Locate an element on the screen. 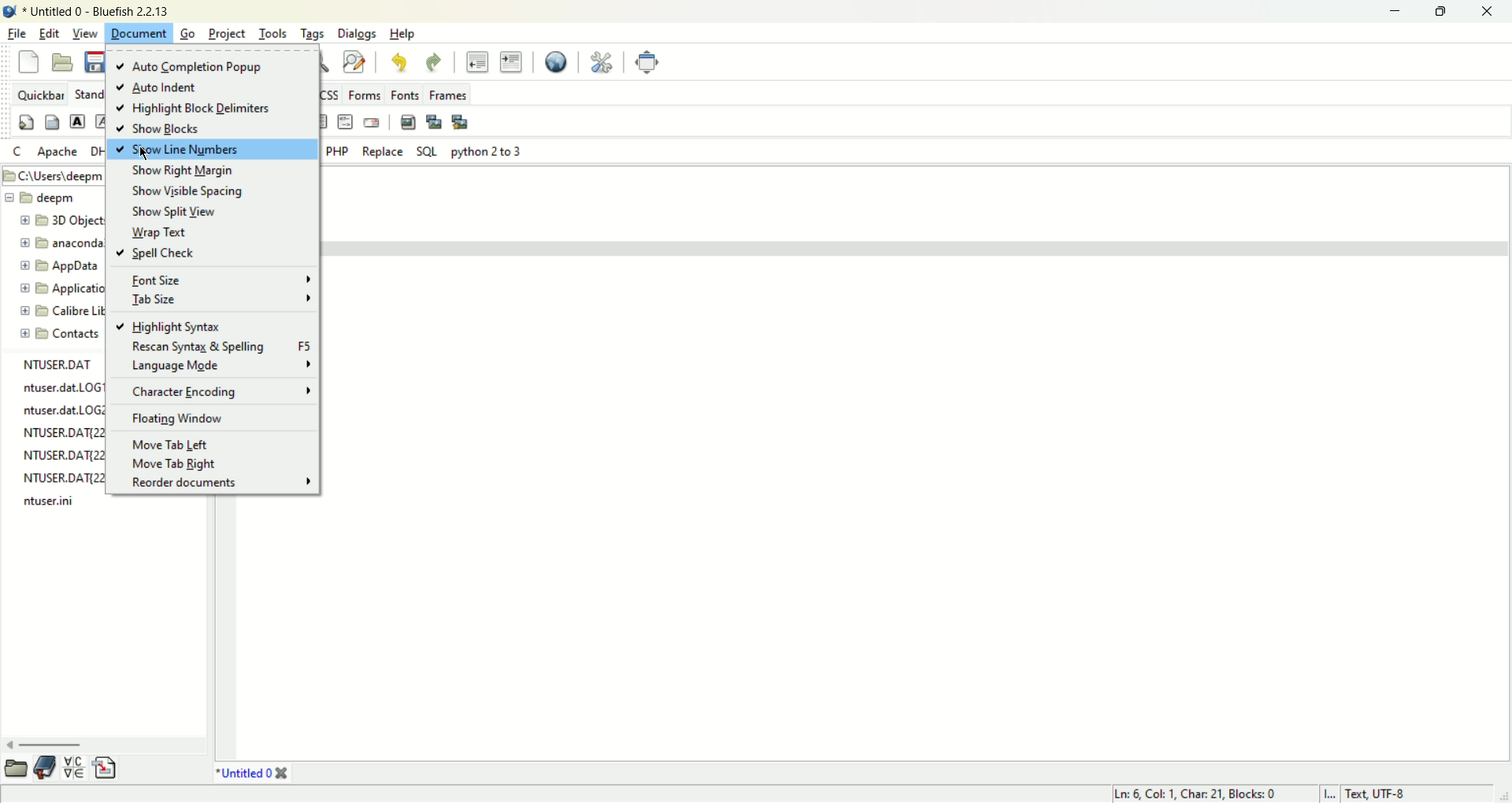 The height and width of the screenshot is (803, 1512). spell check is located at coordinates (155, 253).